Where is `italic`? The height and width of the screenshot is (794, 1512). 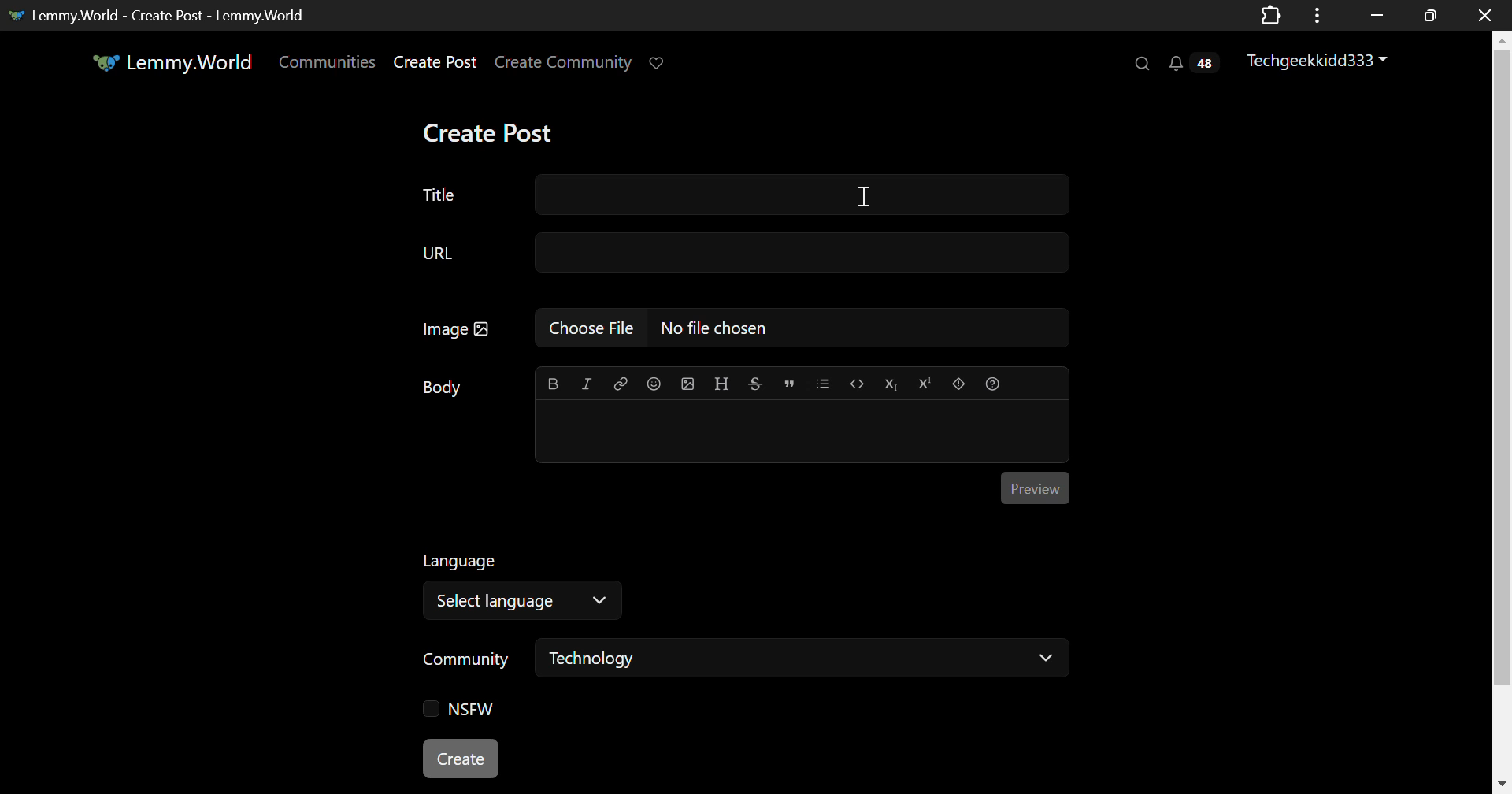 italic is located at coordinates (587, 384).